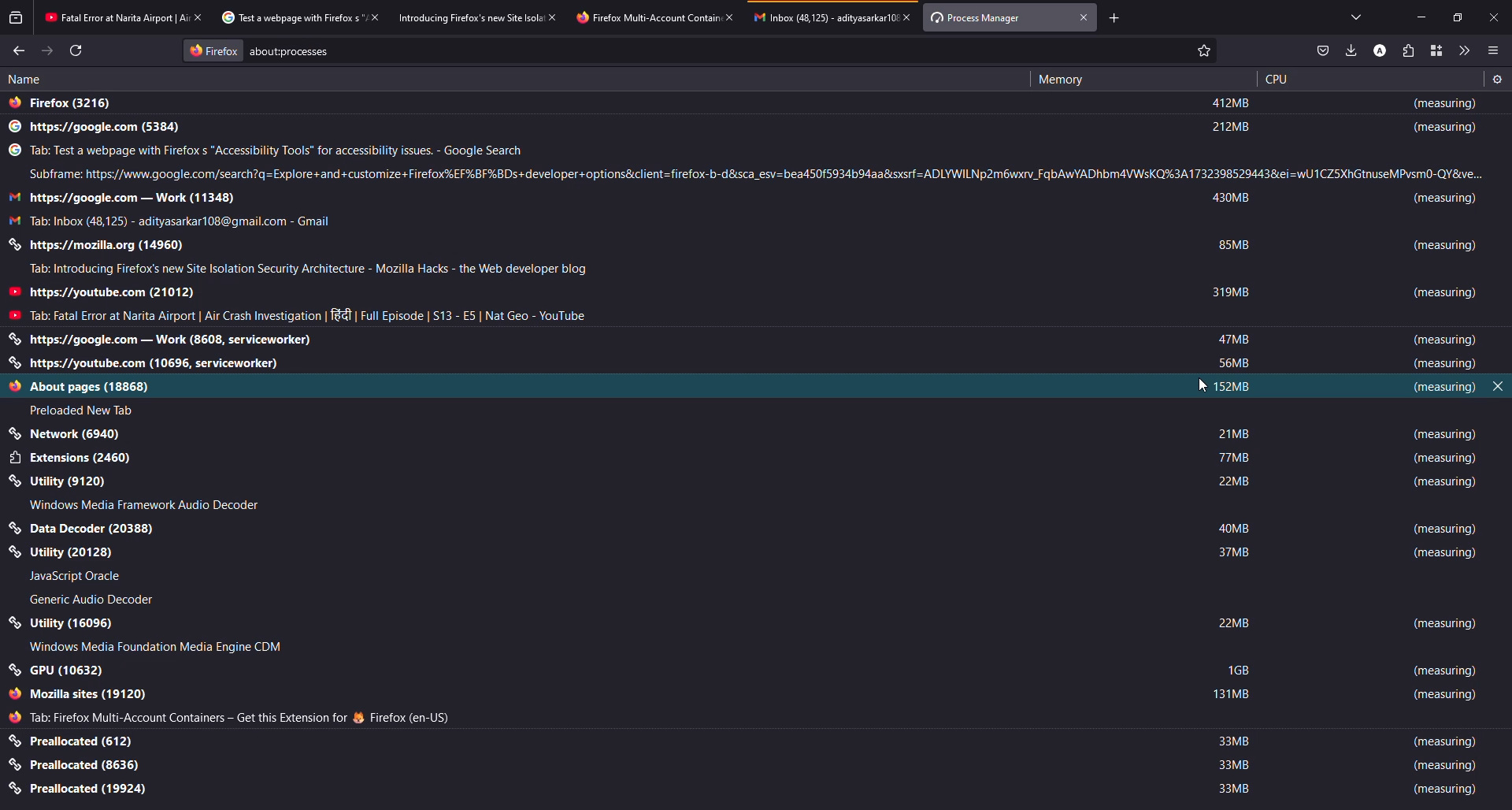  What do you see at coordinates (66, 101) in the screenshot?
I see `firefox (3216)` at bounding box center [66, 101].